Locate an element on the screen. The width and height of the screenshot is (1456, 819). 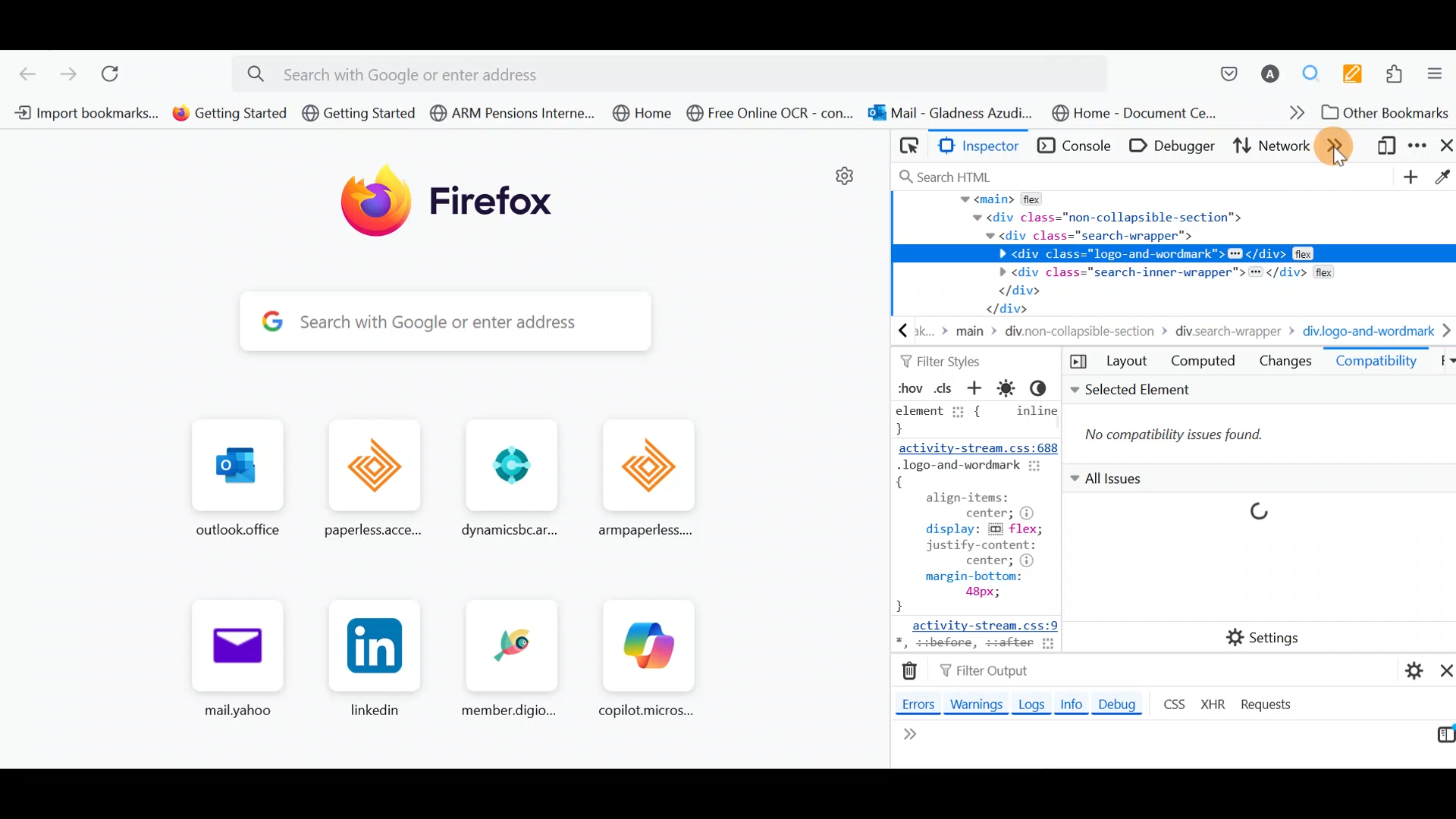
Settings is located at coordinates (1266, 636).